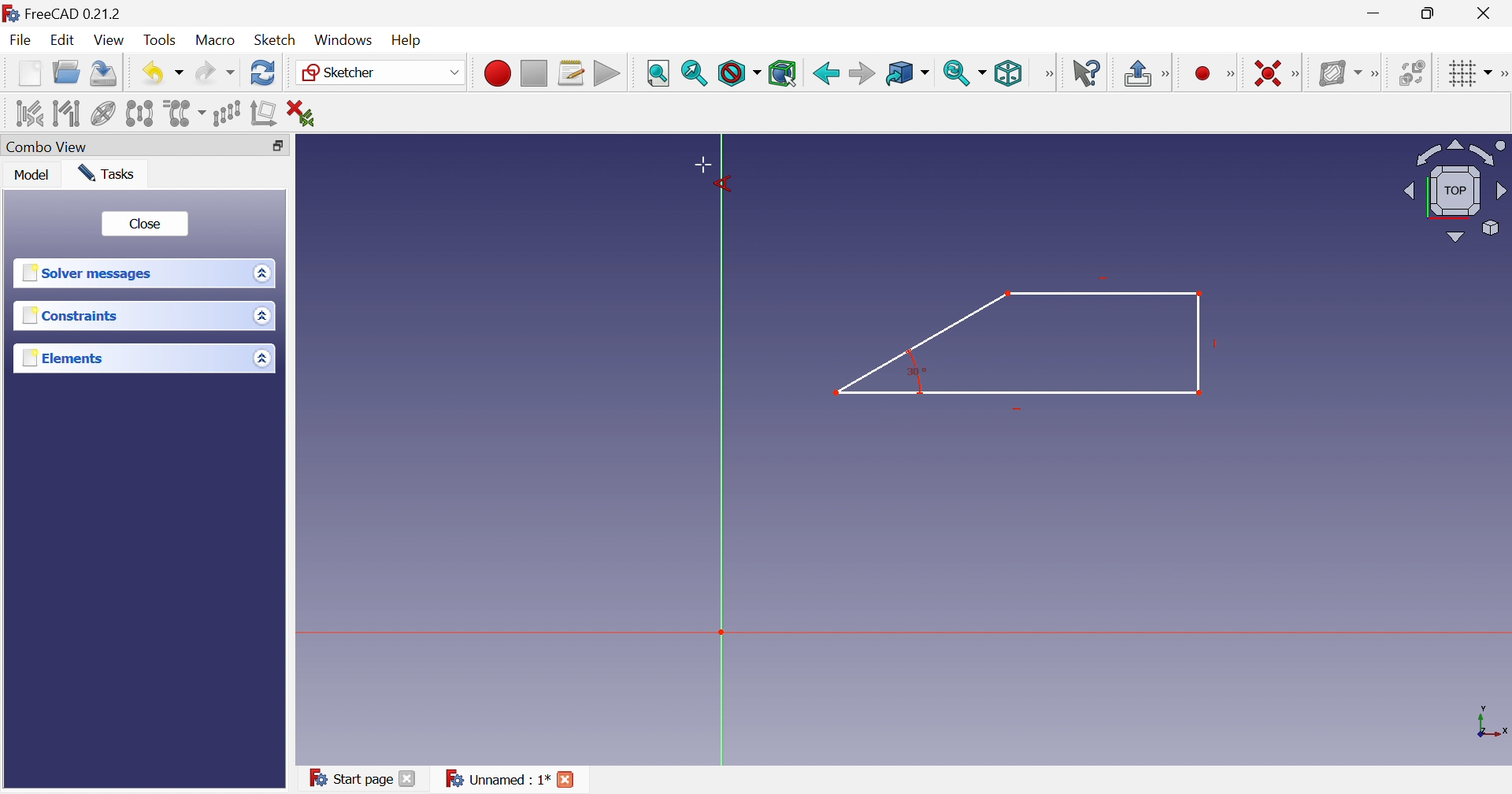  I want to click on Sketcher, so click(343, 73).